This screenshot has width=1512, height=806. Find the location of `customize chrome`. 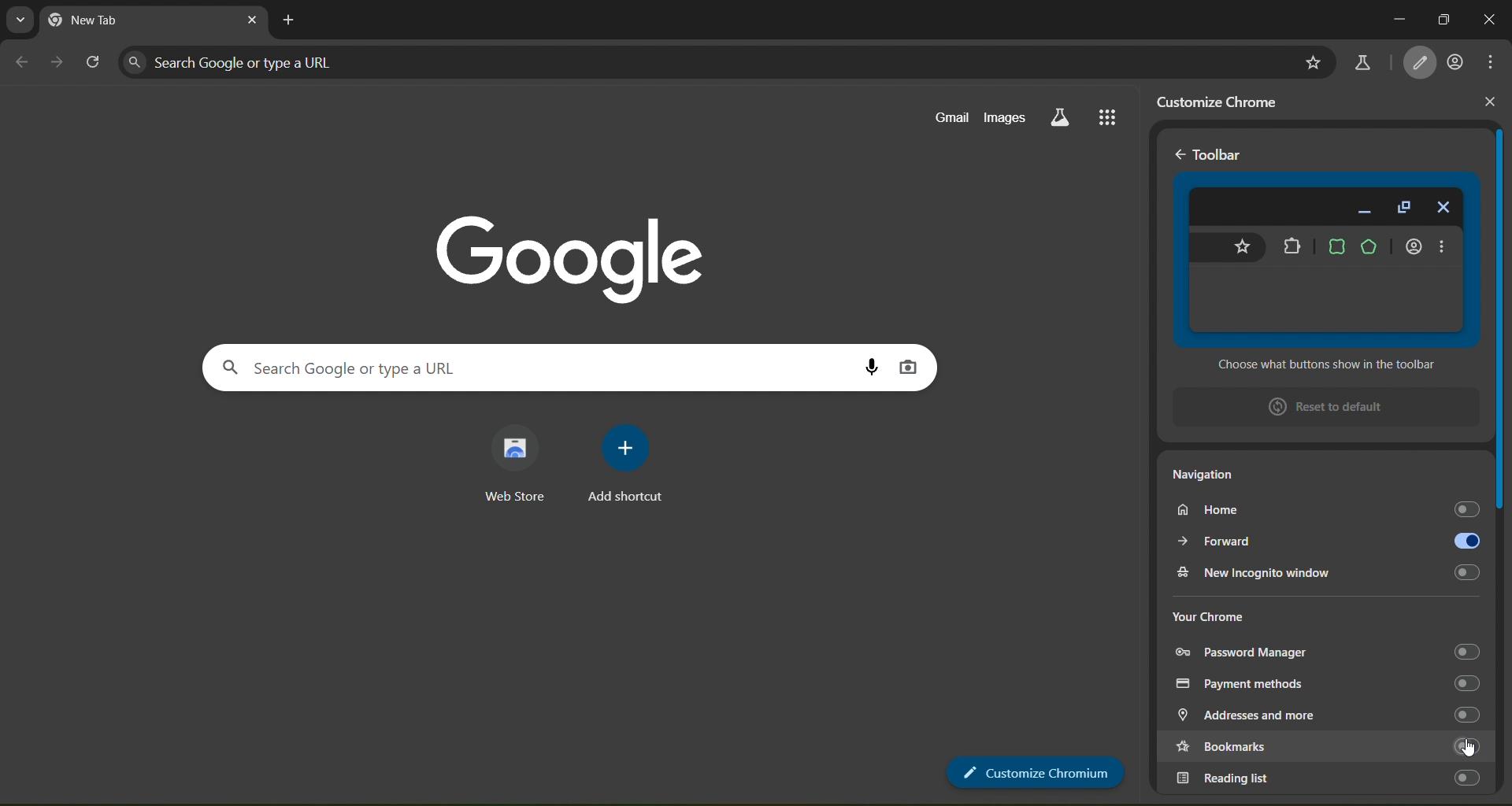

customize chrome is located at coordinates (1033, 775).